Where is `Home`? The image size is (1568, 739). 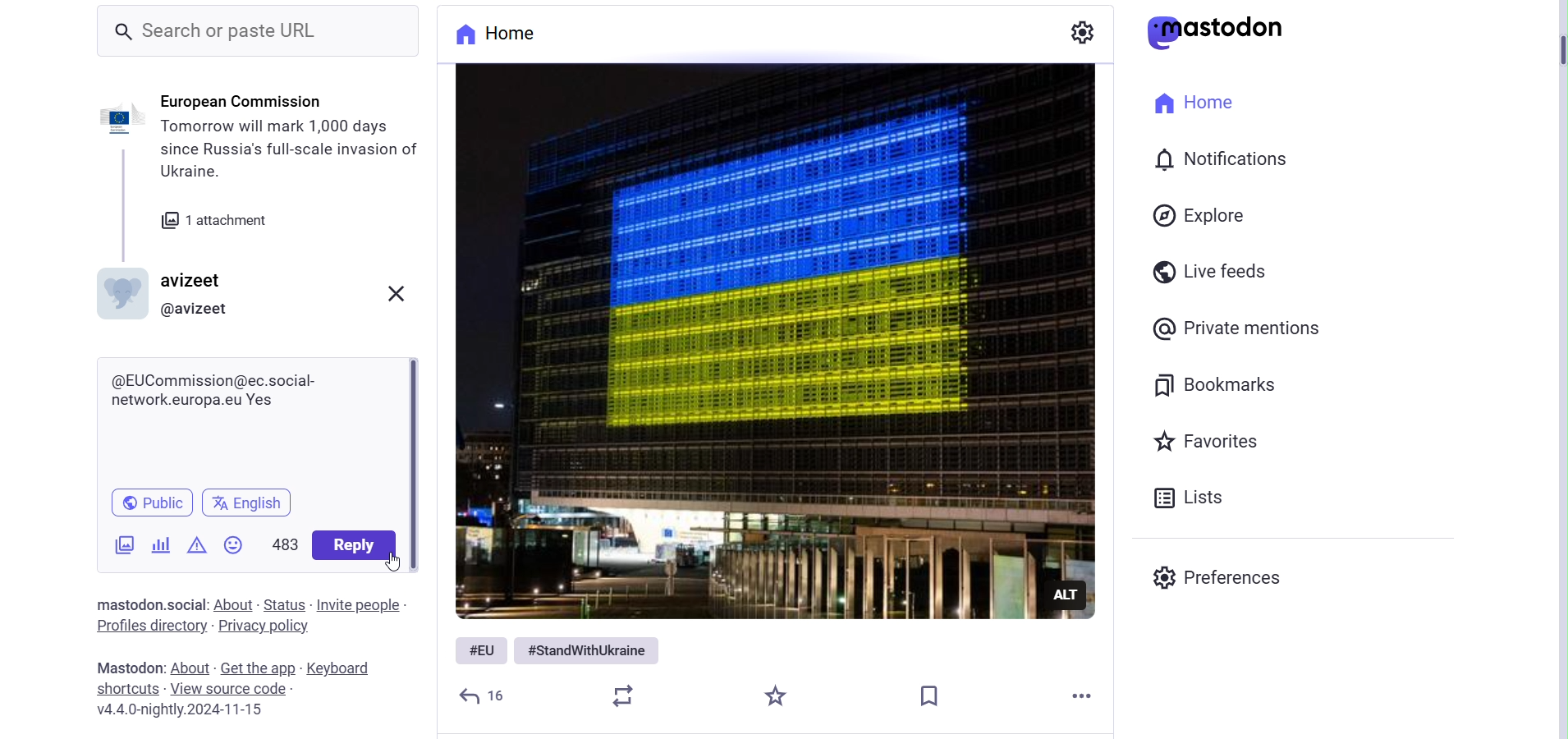 Home is located at coordinates (512, 34).